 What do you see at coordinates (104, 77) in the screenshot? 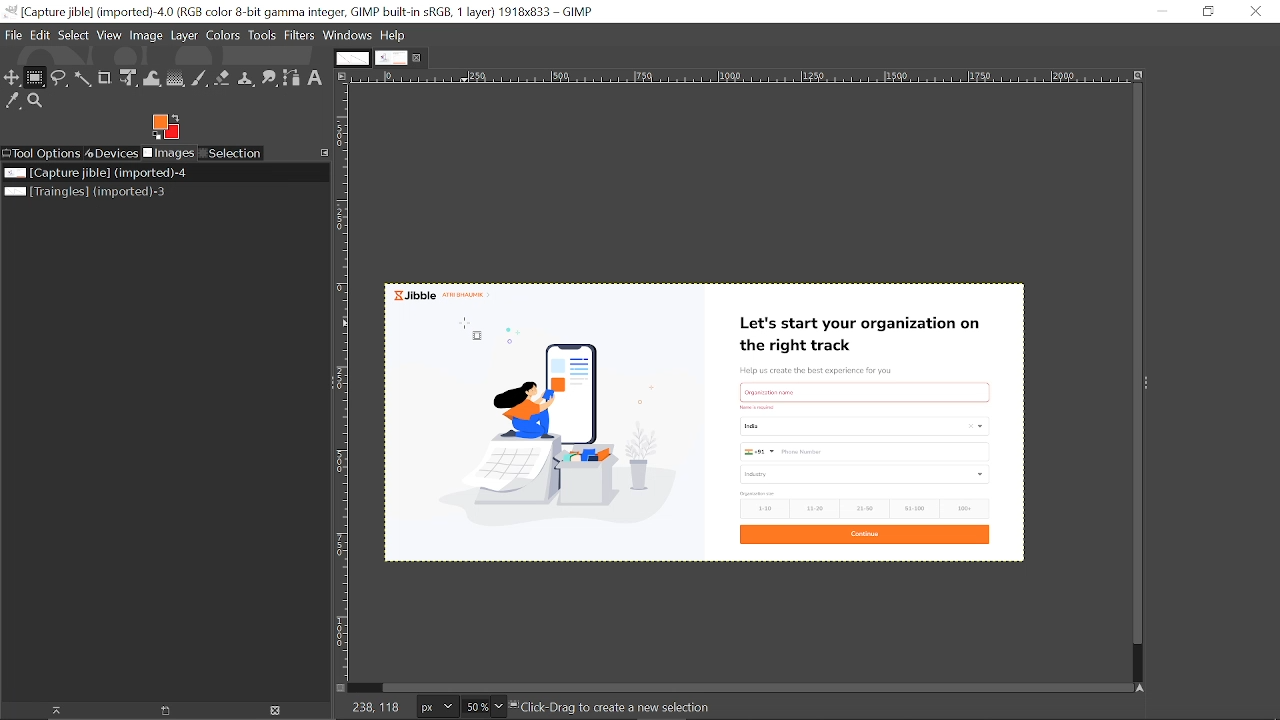
I see `Crop tool` at bounding box center [104, 77].